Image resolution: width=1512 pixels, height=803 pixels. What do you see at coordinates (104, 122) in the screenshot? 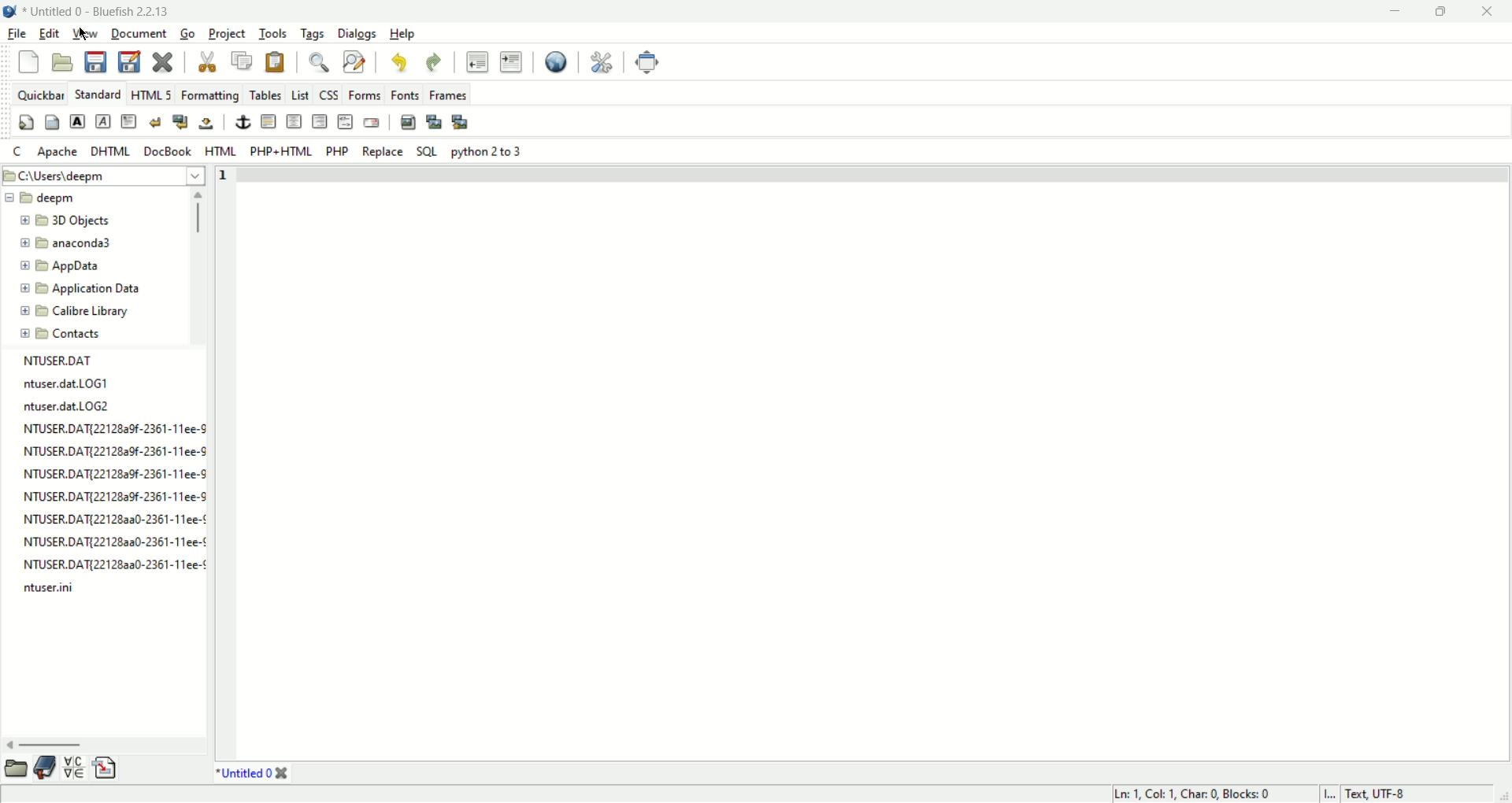
I see `emphasis` at bounding box center [104, 122].